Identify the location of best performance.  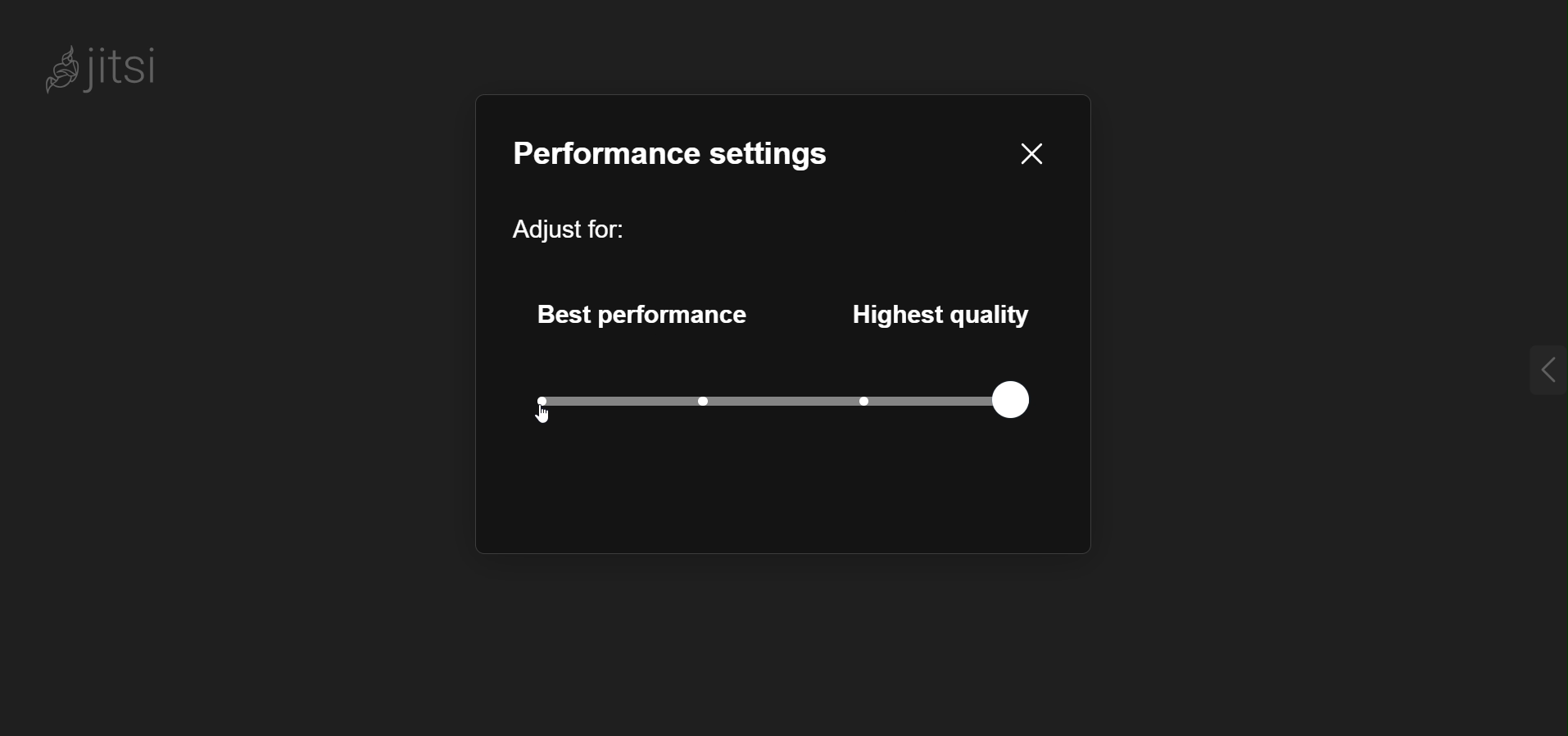
(641, 309).